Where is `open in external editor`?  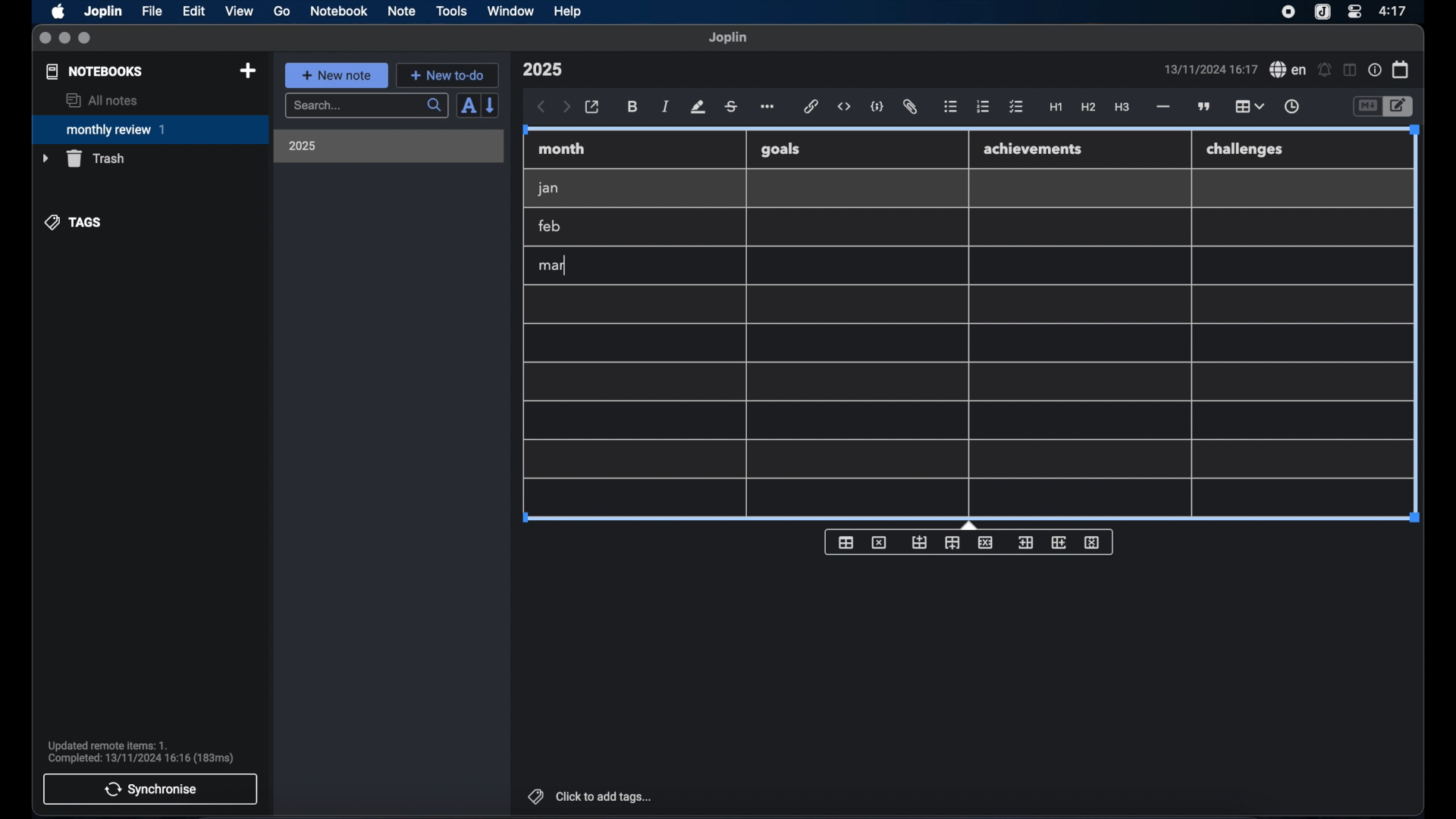
open in external editor is located at coordinates (593, 108).